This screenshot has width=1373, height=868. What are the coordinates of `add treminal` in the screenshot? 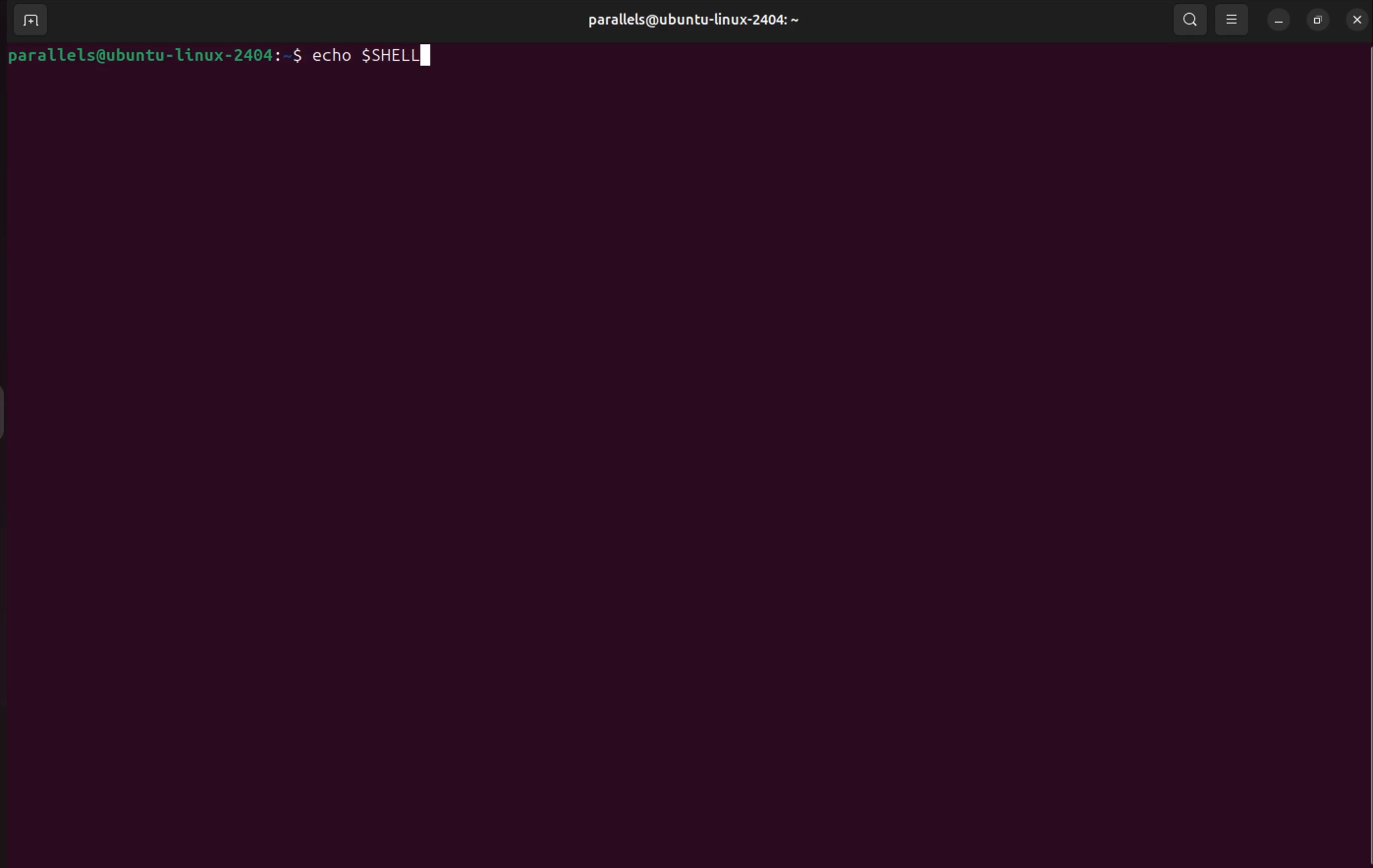 It's located at (30, 22).